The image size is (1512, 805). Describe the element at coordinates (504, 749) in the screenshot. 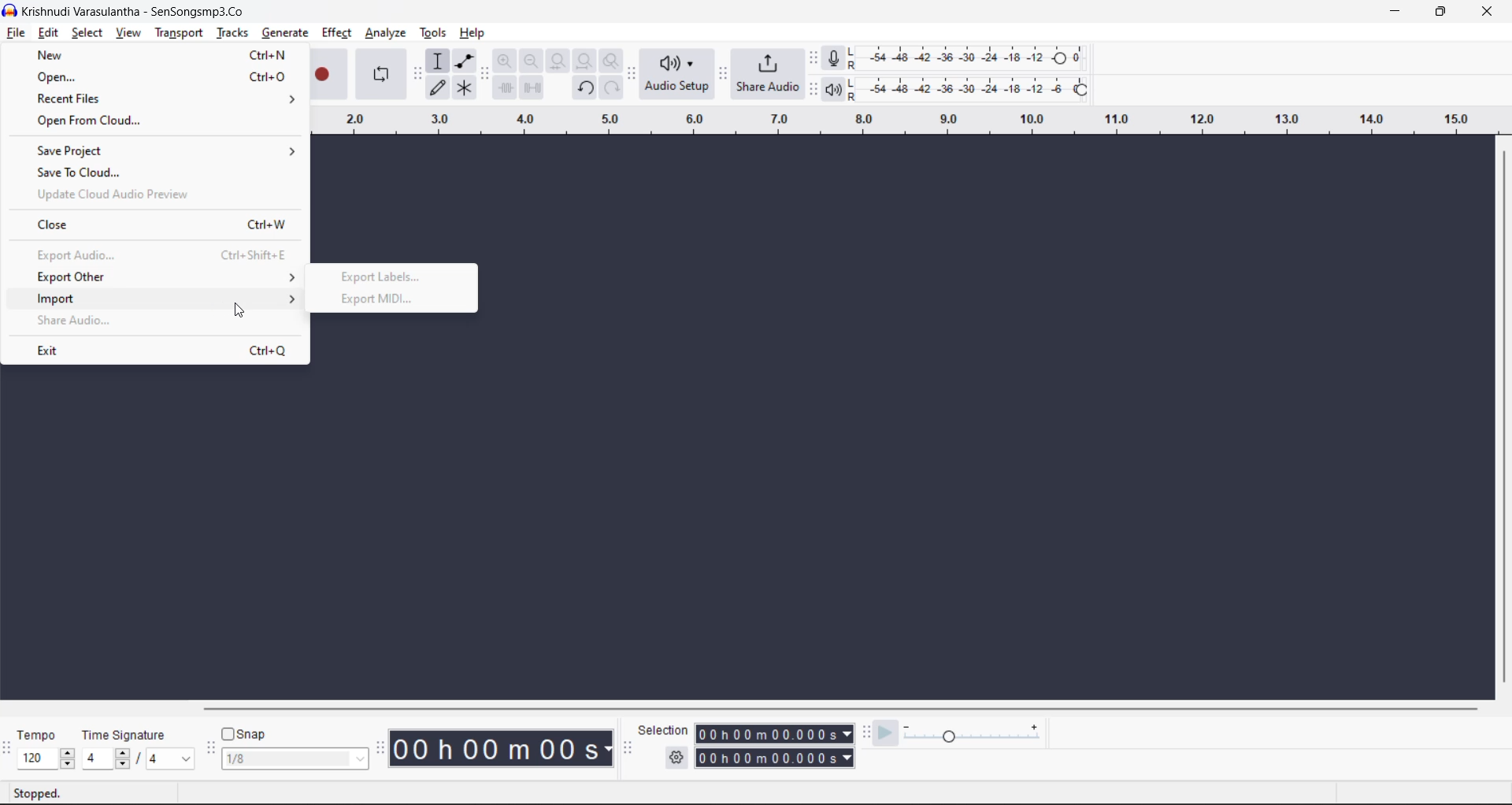

I see `00 h 00m 00s` at that location.